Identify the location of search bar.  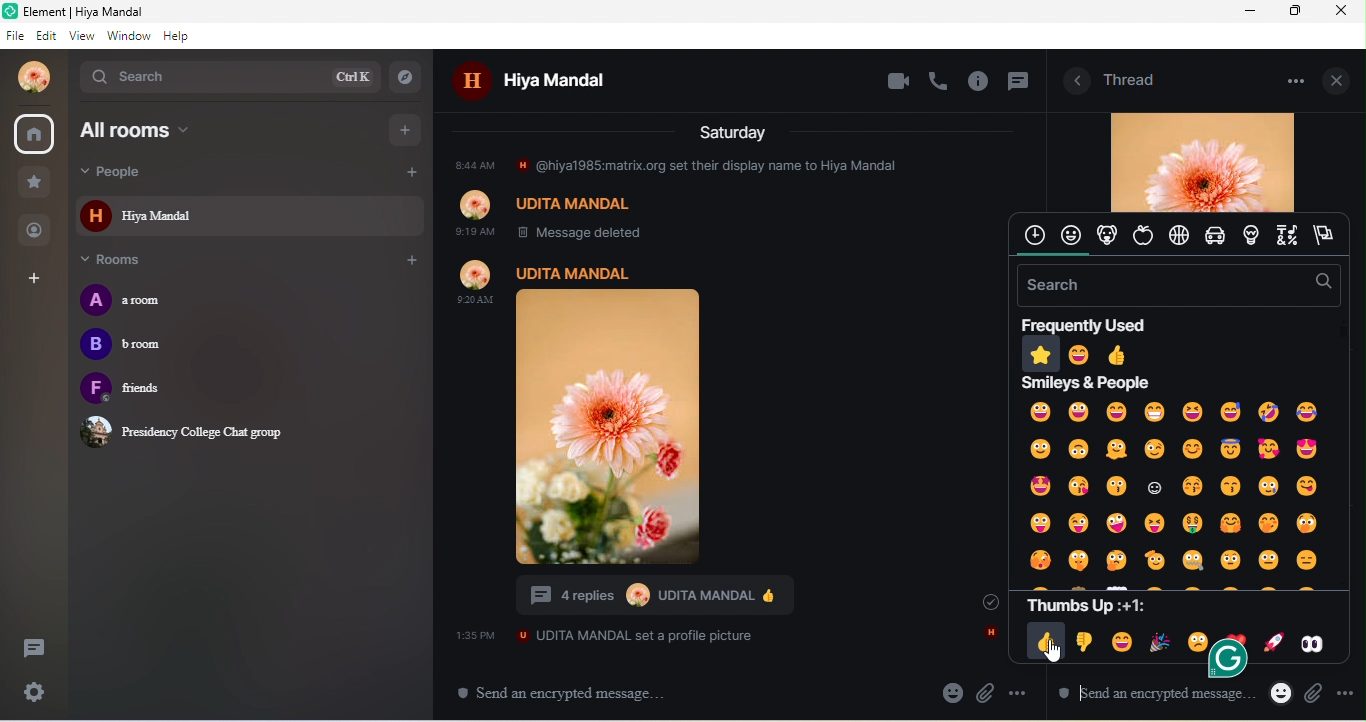
(1175, 285).